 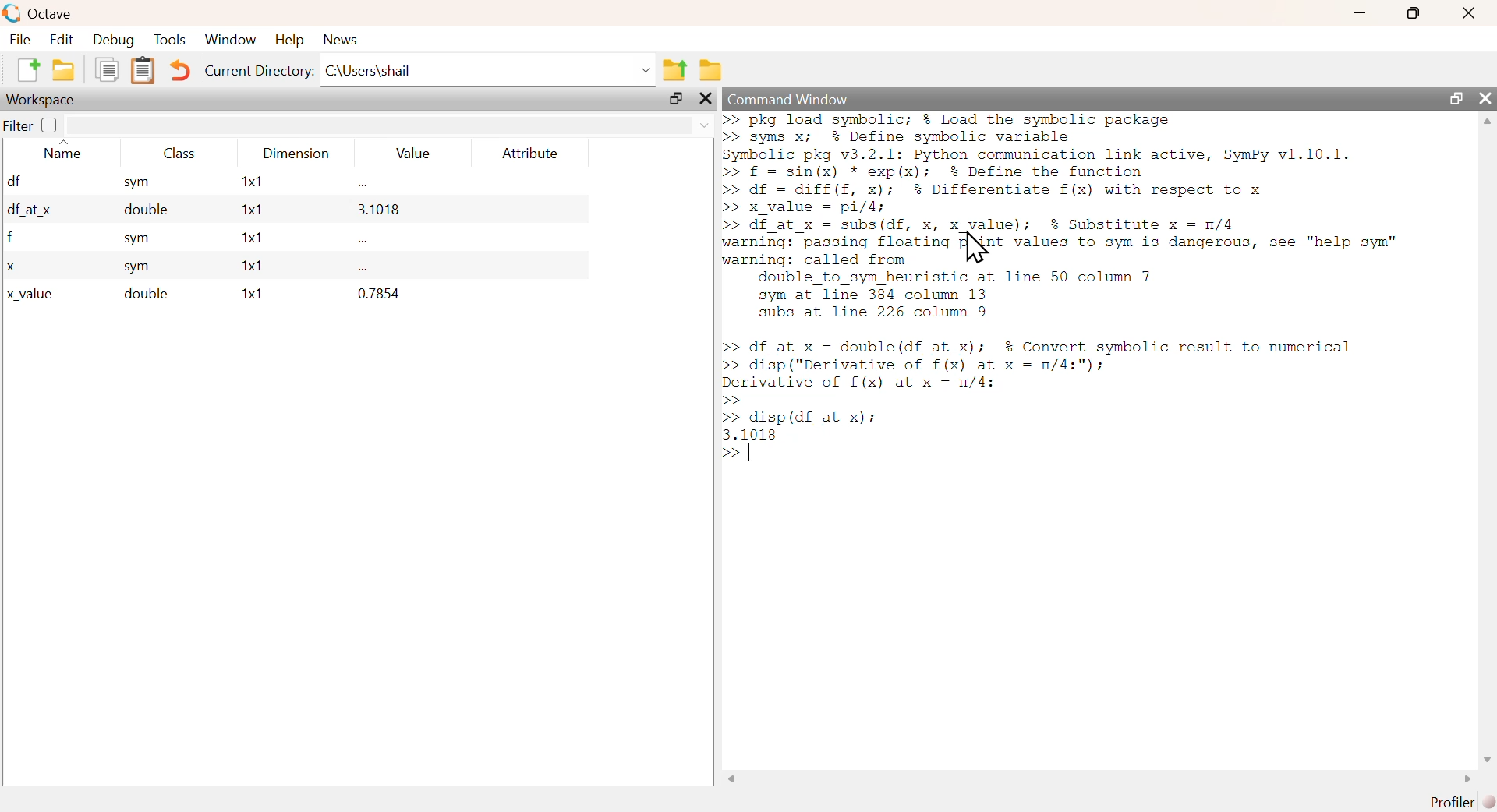 I want to click on Help, so click(x=287, y=40).